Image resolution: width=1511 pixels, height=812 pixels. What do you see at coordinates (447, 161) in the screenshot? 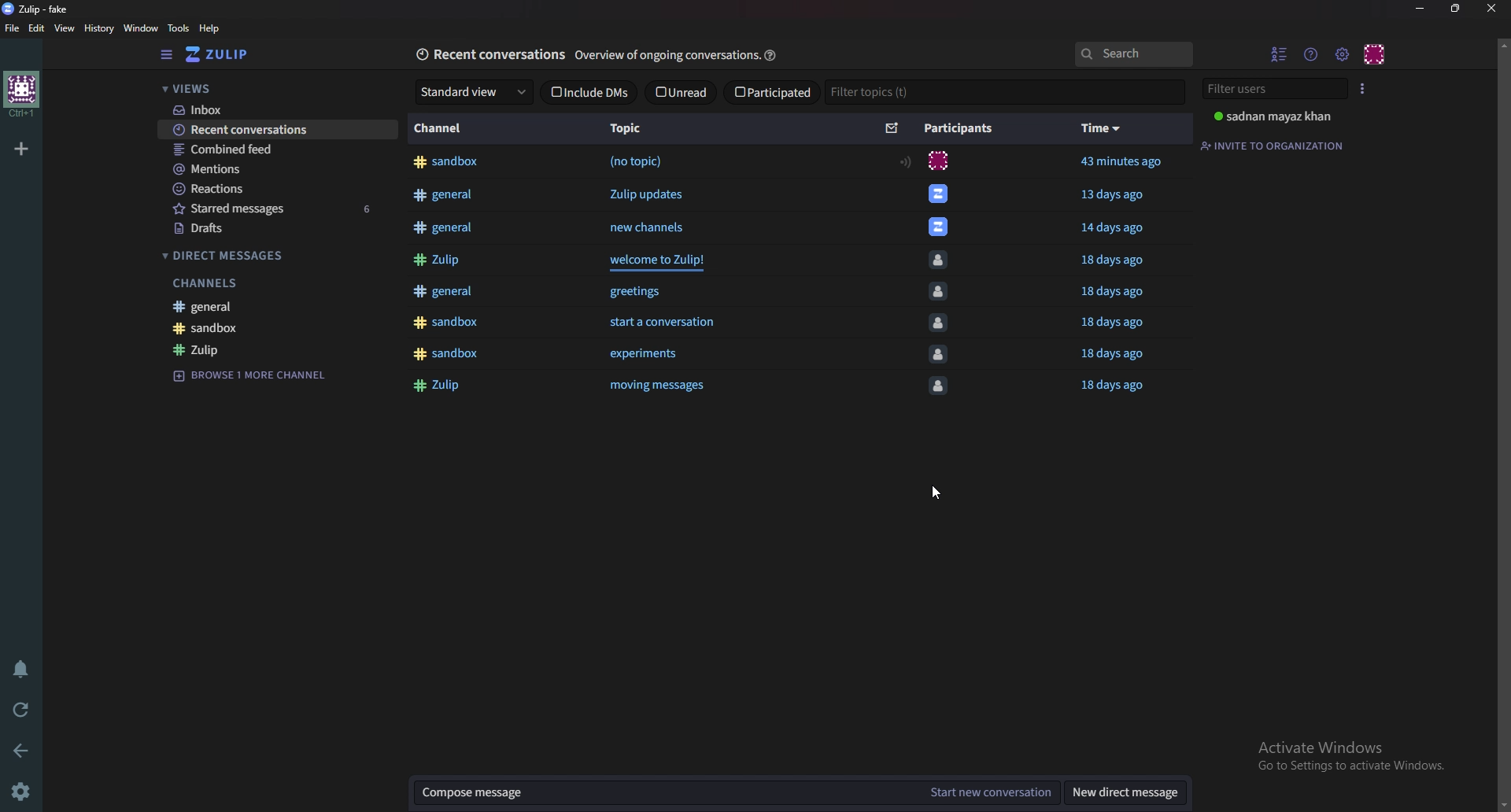
I see `#sandbox` at bounding box center [447, 161].